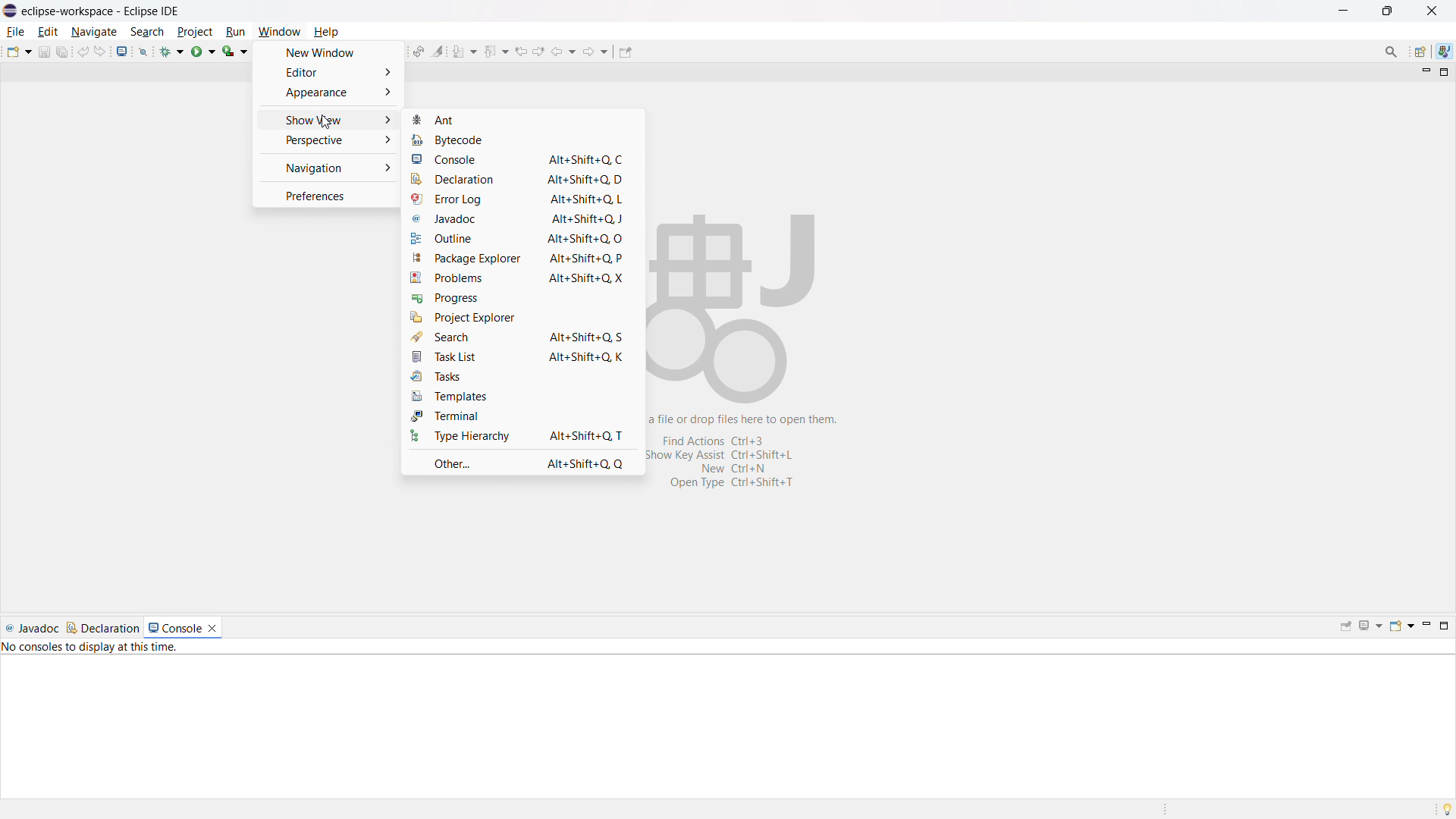 This screenshot has width=1456, height=819. What do you see at coordinates (522, 317) in the screenshot?
I see `project explorer` at bounding box center [522, 317].